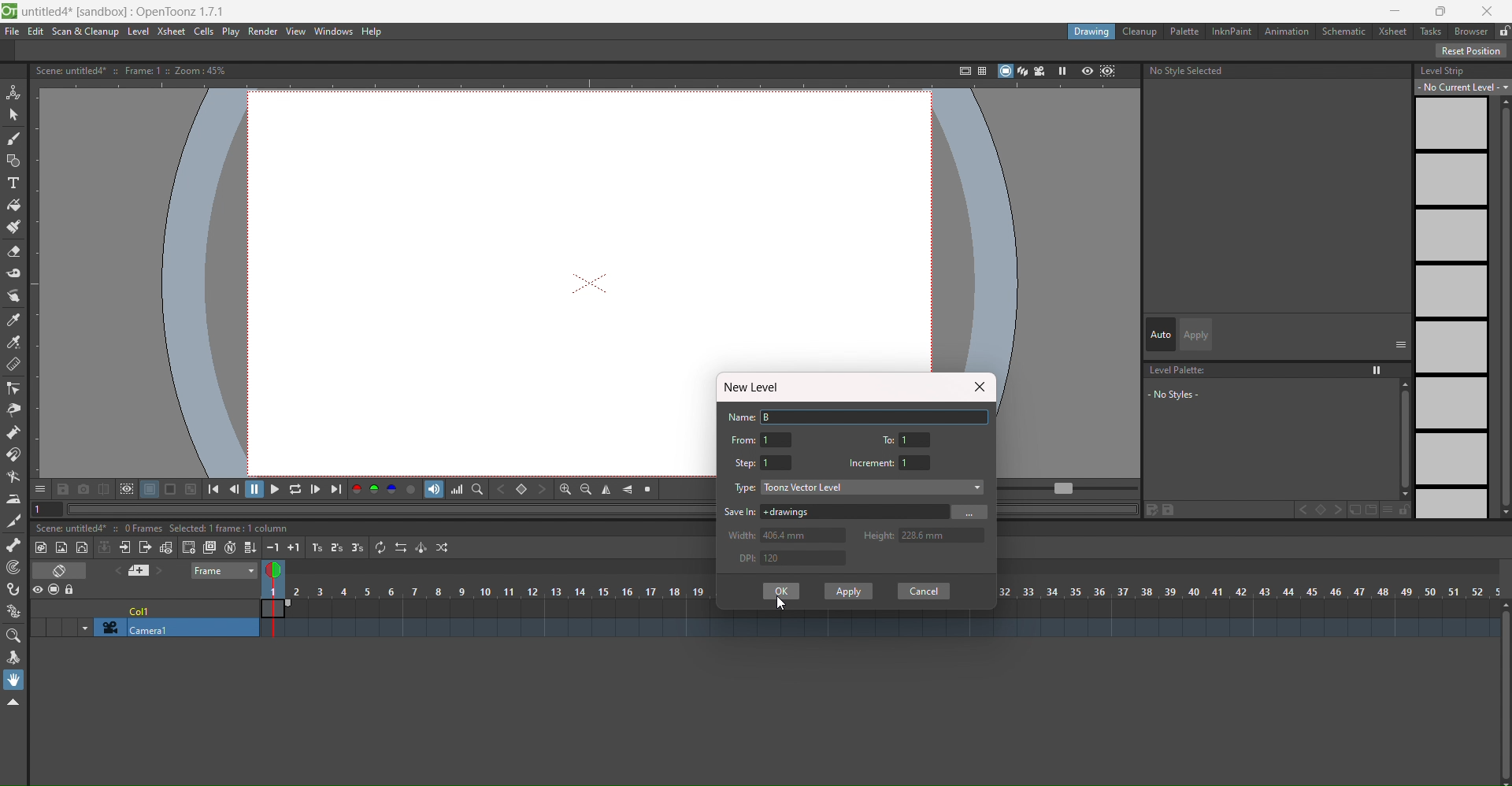 The height and width of the screenshot is (786, 1512). What do you see at coordinates (586, 489) in the screenshot?
I see `zoom out` at bounding box center [586, 489].